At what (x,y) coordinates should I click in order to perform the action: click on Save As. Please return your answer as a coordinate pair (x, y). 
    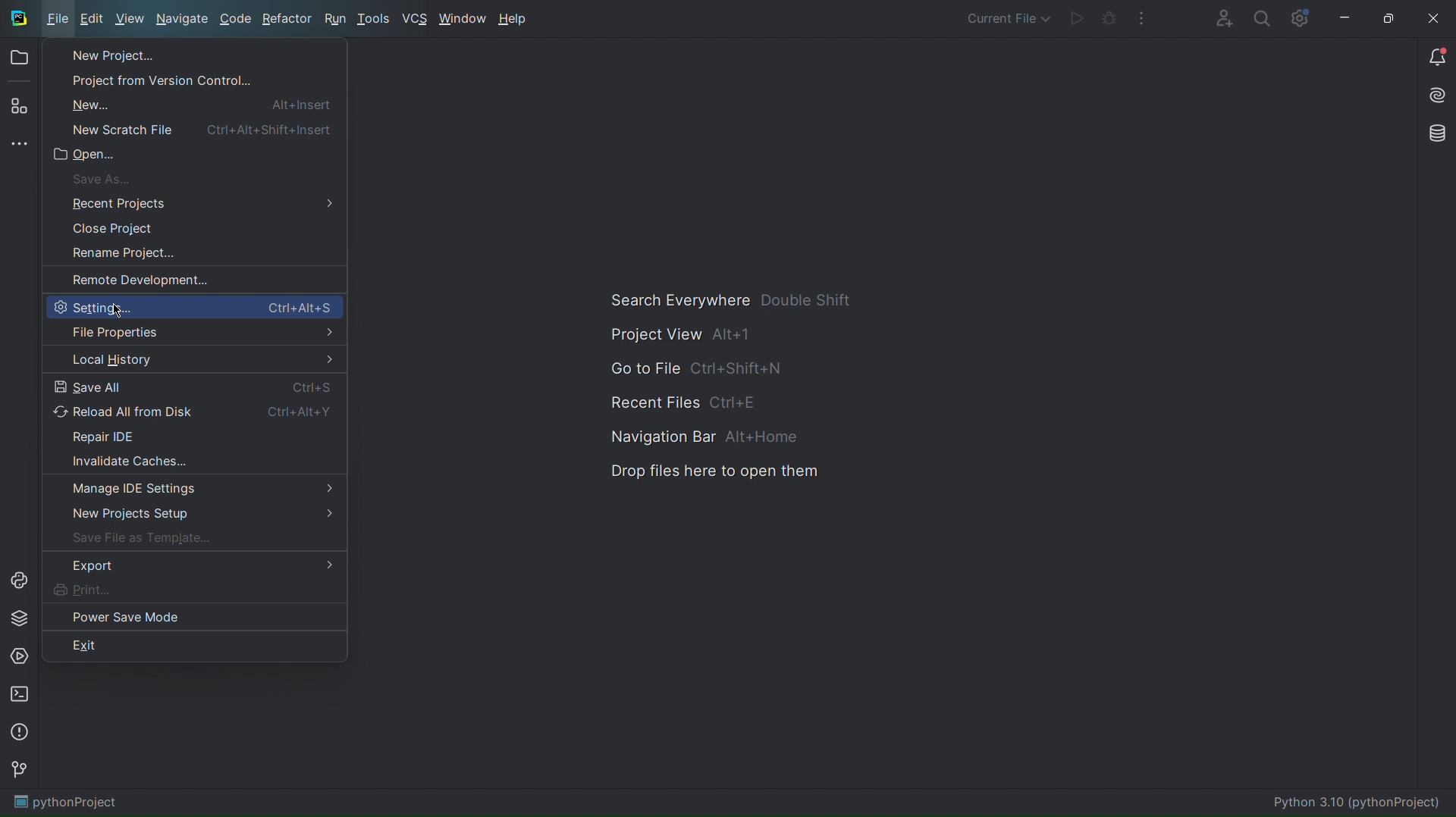
    Looking at the image, I should click on (102, 179).